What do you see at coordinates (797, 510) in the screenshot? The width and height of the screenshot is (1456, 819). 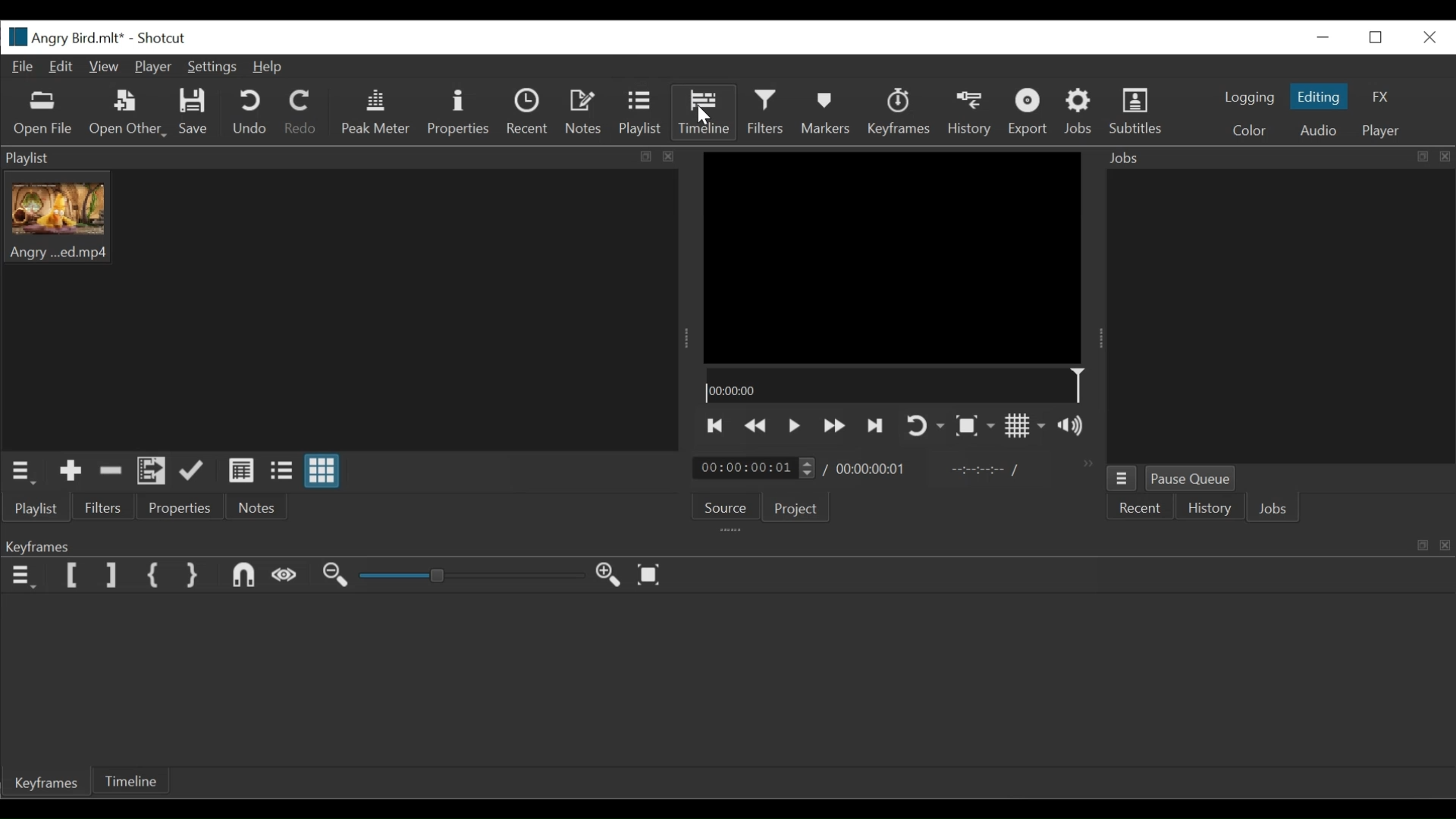 I see `Project` at bounding box center [797, 510].